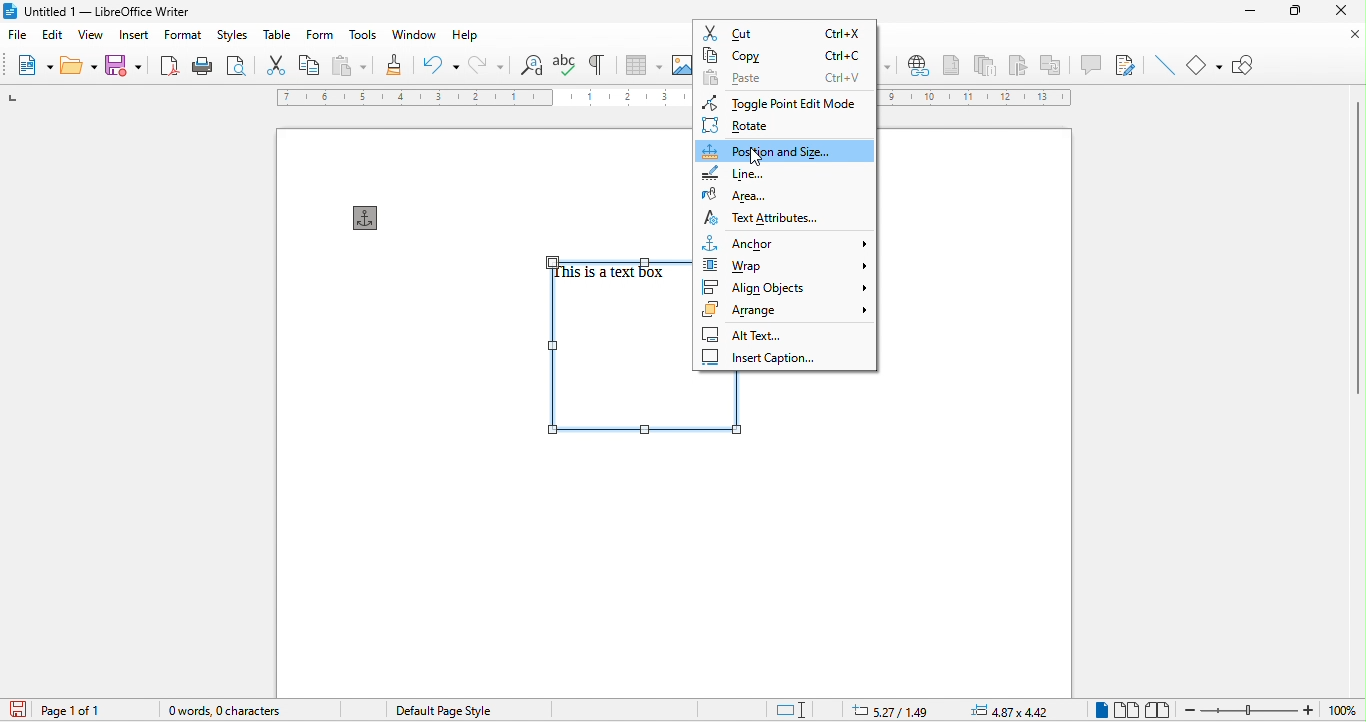 This screenshot has width=1366, height=722. I want to click on copy, so click(310, 66).